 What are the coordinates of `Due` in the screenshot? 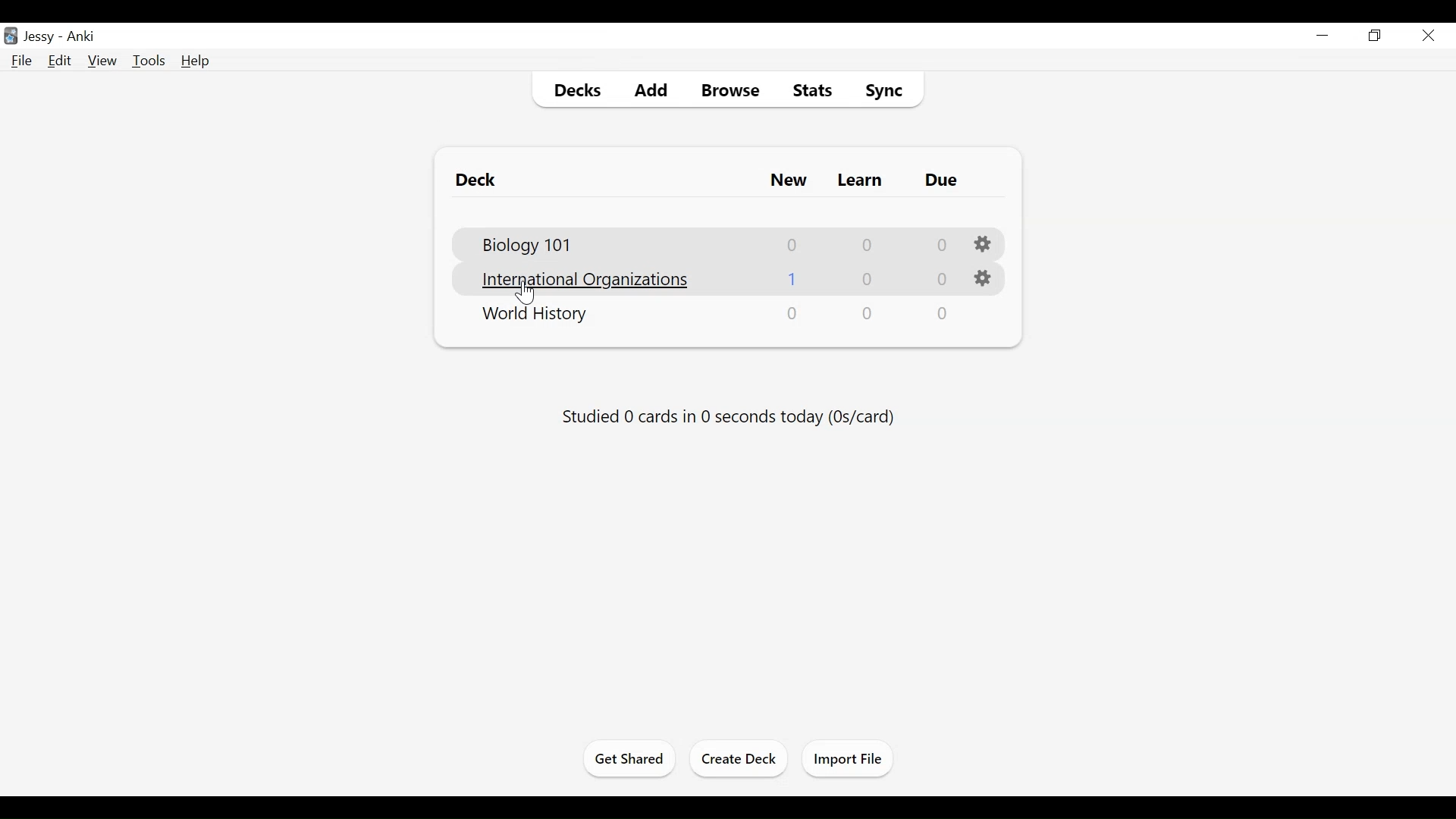 It's located at (943, 180).